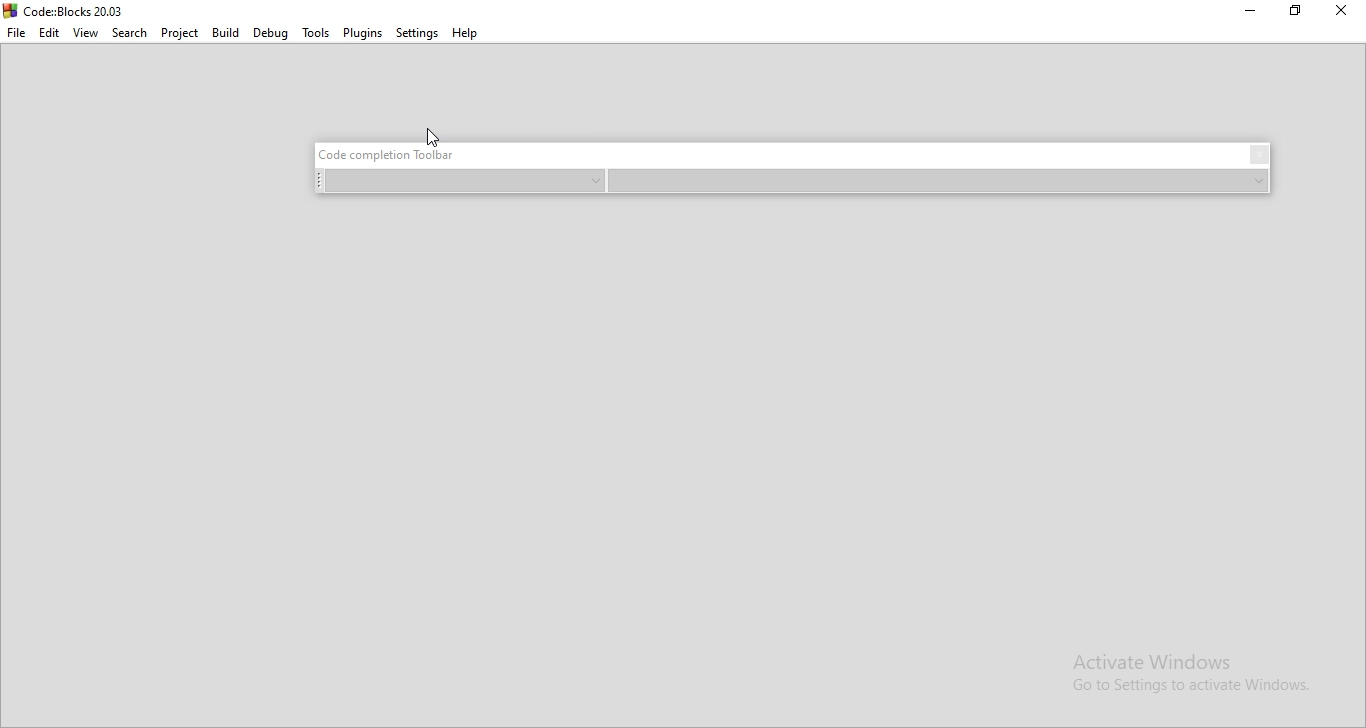 The width and height of the screenshot is (1366, 728). What do you see at coordinates (940, 182) in the screenshot?
I see `empty dropdown` at bounding box center [940, 182].